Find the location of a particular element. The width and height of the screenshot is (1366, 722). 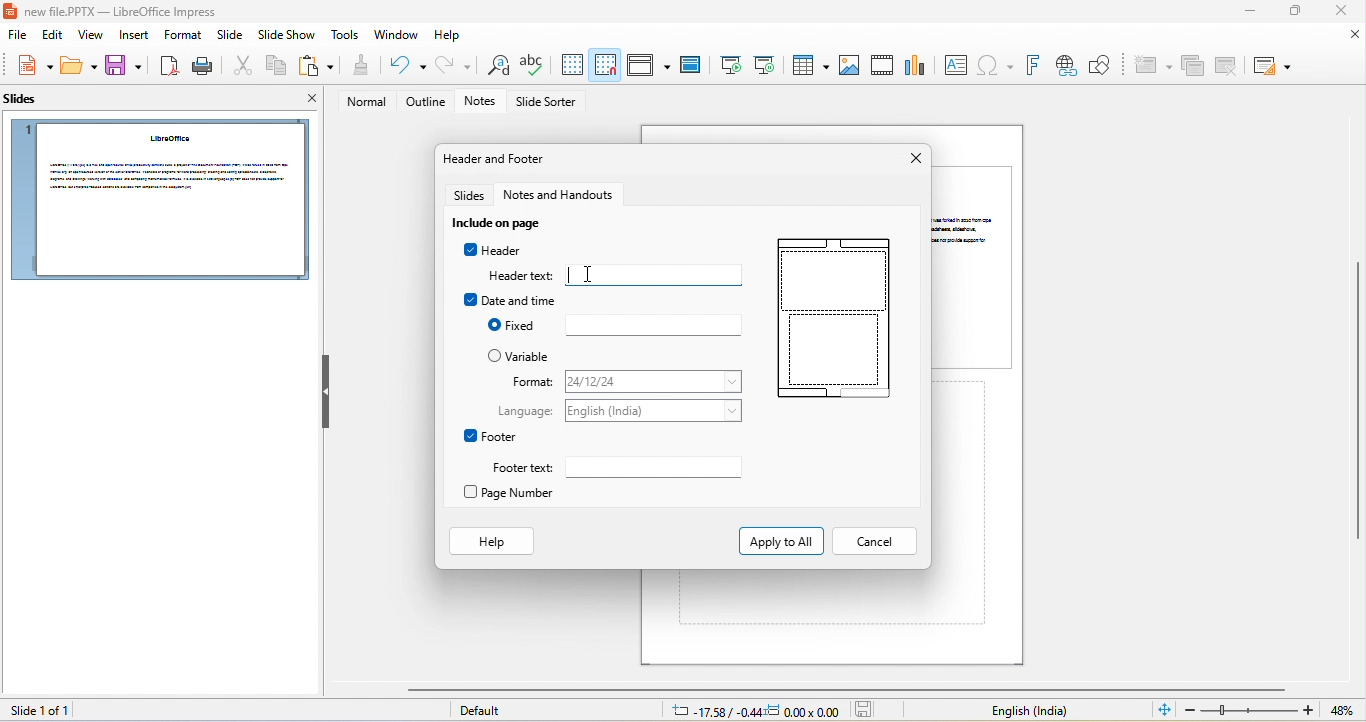

clone formatting is located at coordinates (359, 66).